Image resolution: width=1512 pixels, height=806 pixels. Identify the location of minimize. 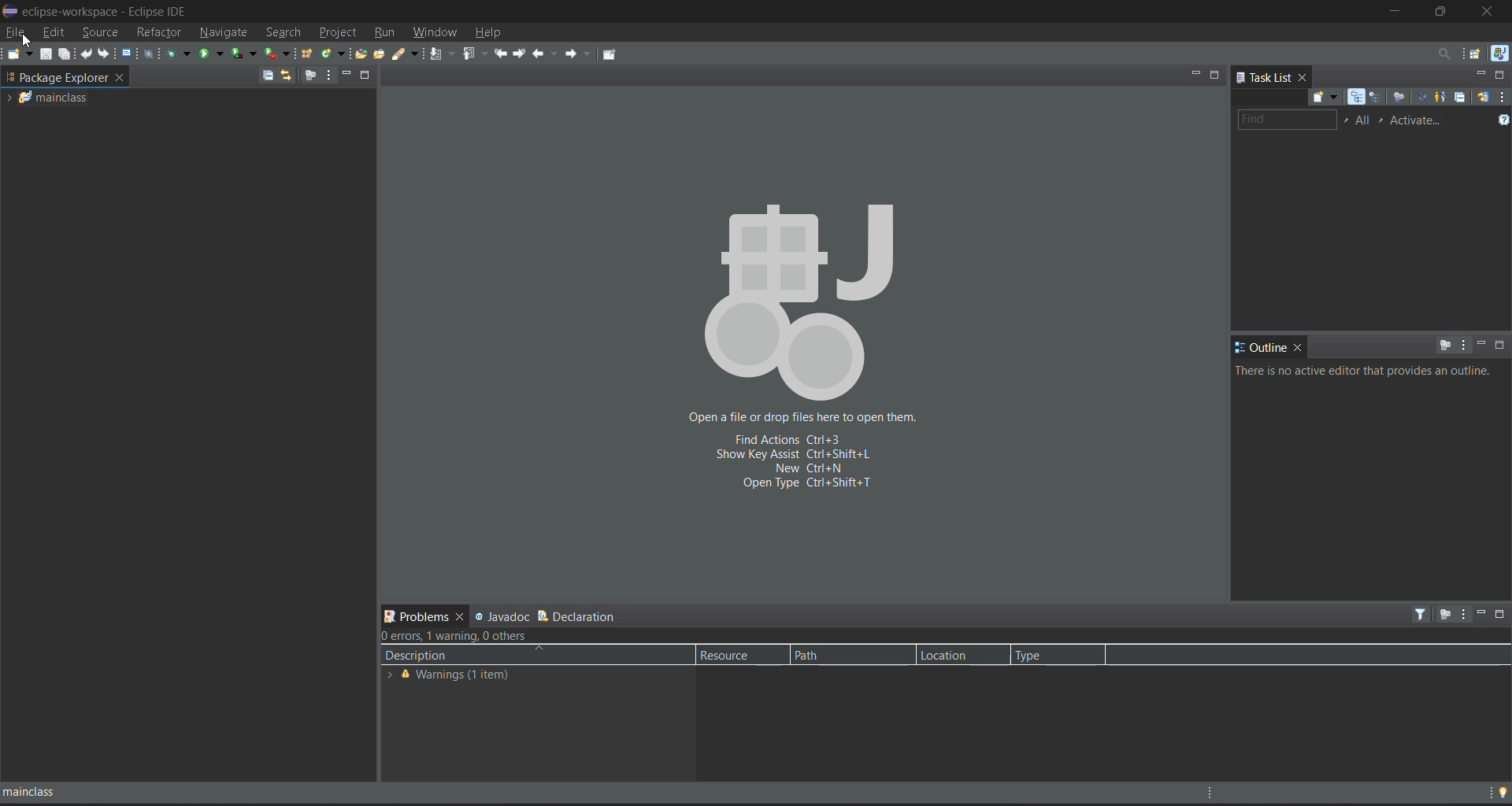
(1480, 75).